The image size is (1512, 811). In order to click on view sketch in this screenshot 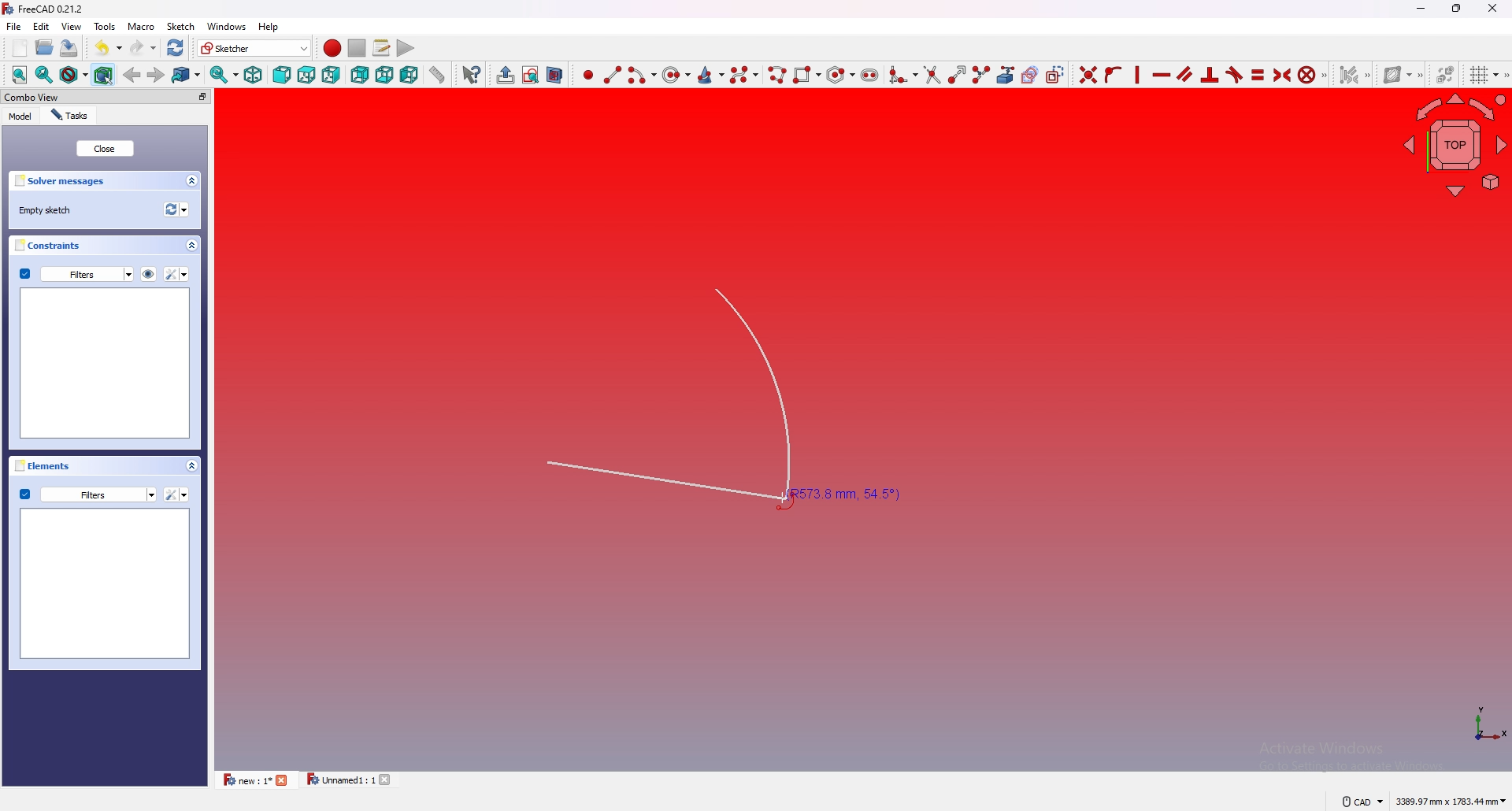, I will do `click(531, 74)`.